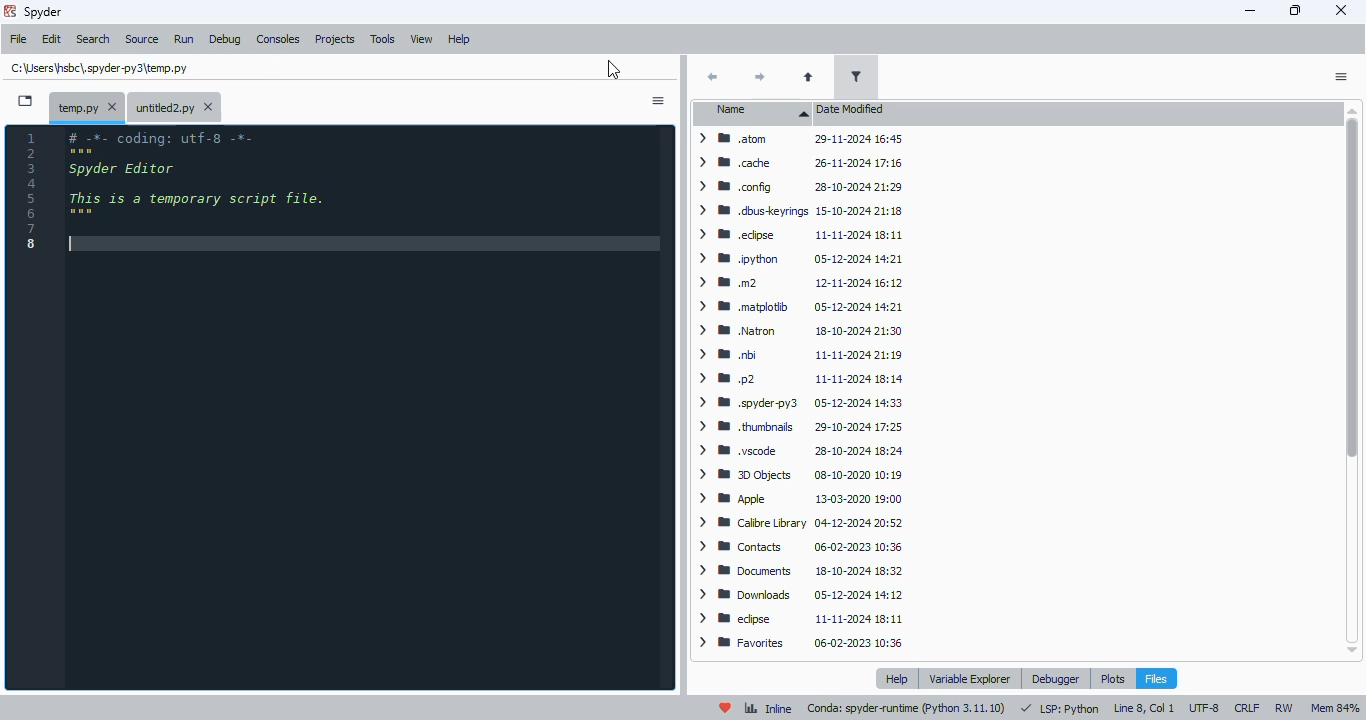 Image resolution: width=1366 pixels, height=720 pixels. Describe the element at coordinates (797, 571) in the screenshot. I see `> 8 Documents 18-10-2024 18:32` at that location.